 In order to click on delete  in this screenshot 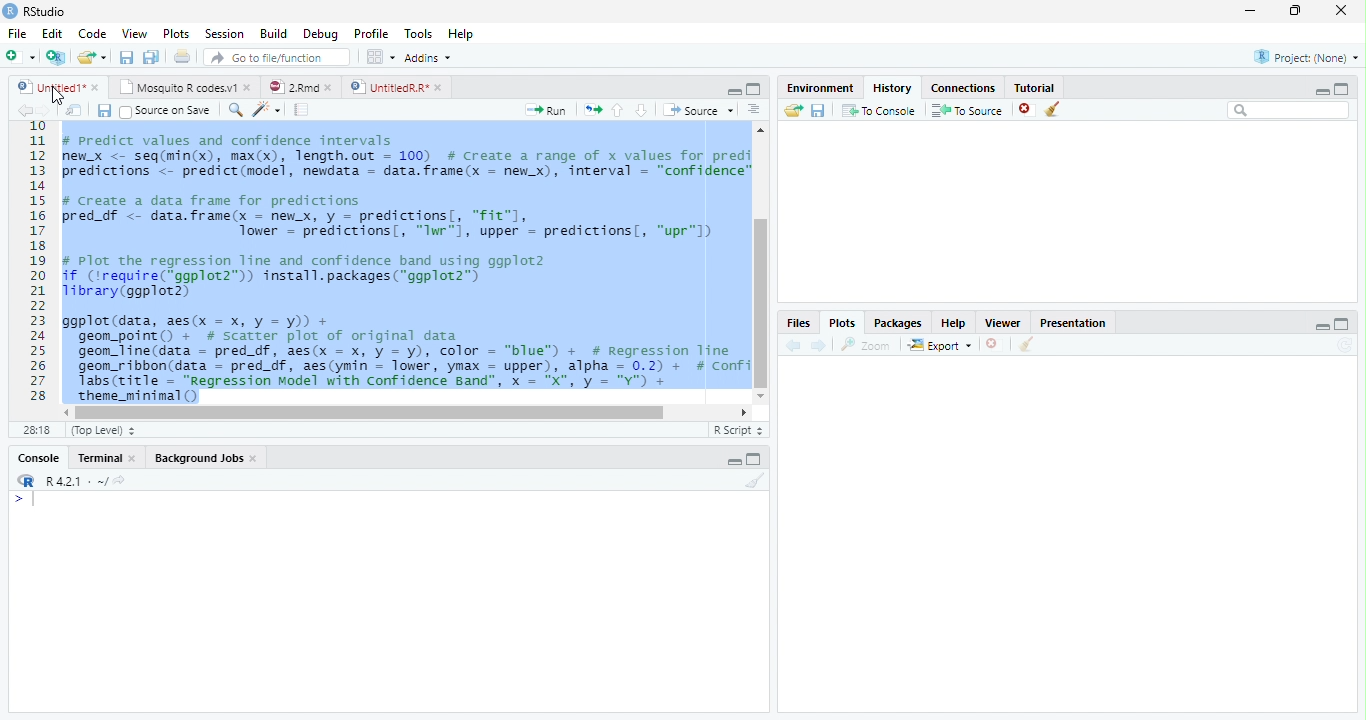, I will do `click(1024, 108)`.